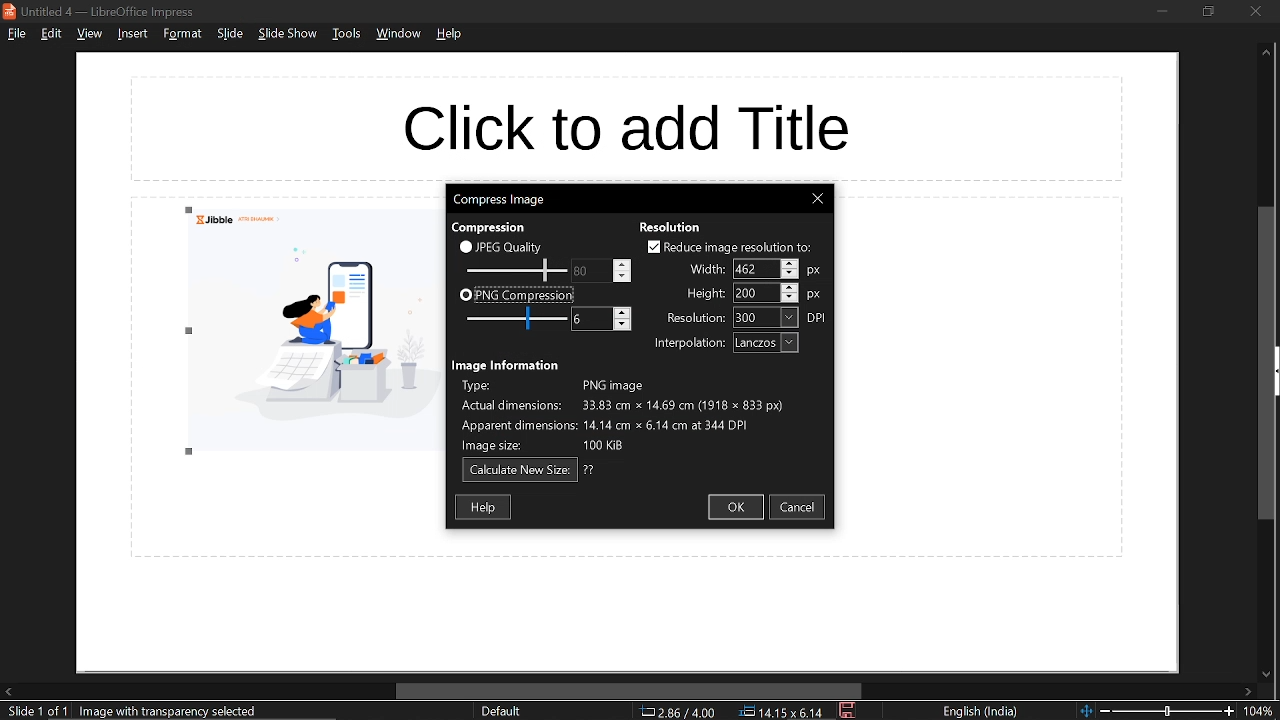 Image resolution: width=1280 pixels, height=720 pixels. What do you see at coordinates (623, 312) in the screenshot?
I see `increase png compression` at bounding box center [623, 312].